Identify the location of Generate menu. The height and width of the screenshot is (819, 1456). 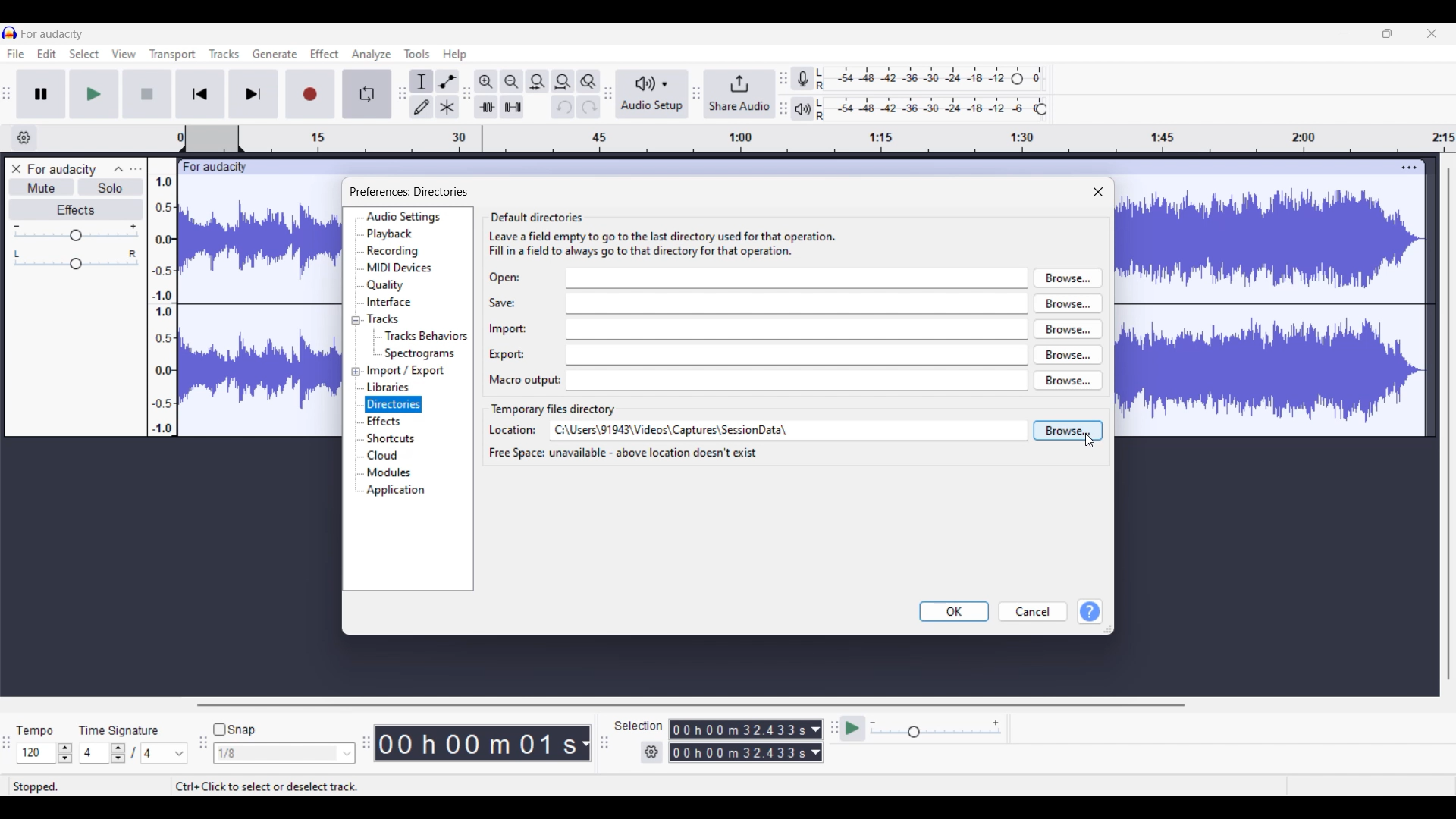
(275, 54).